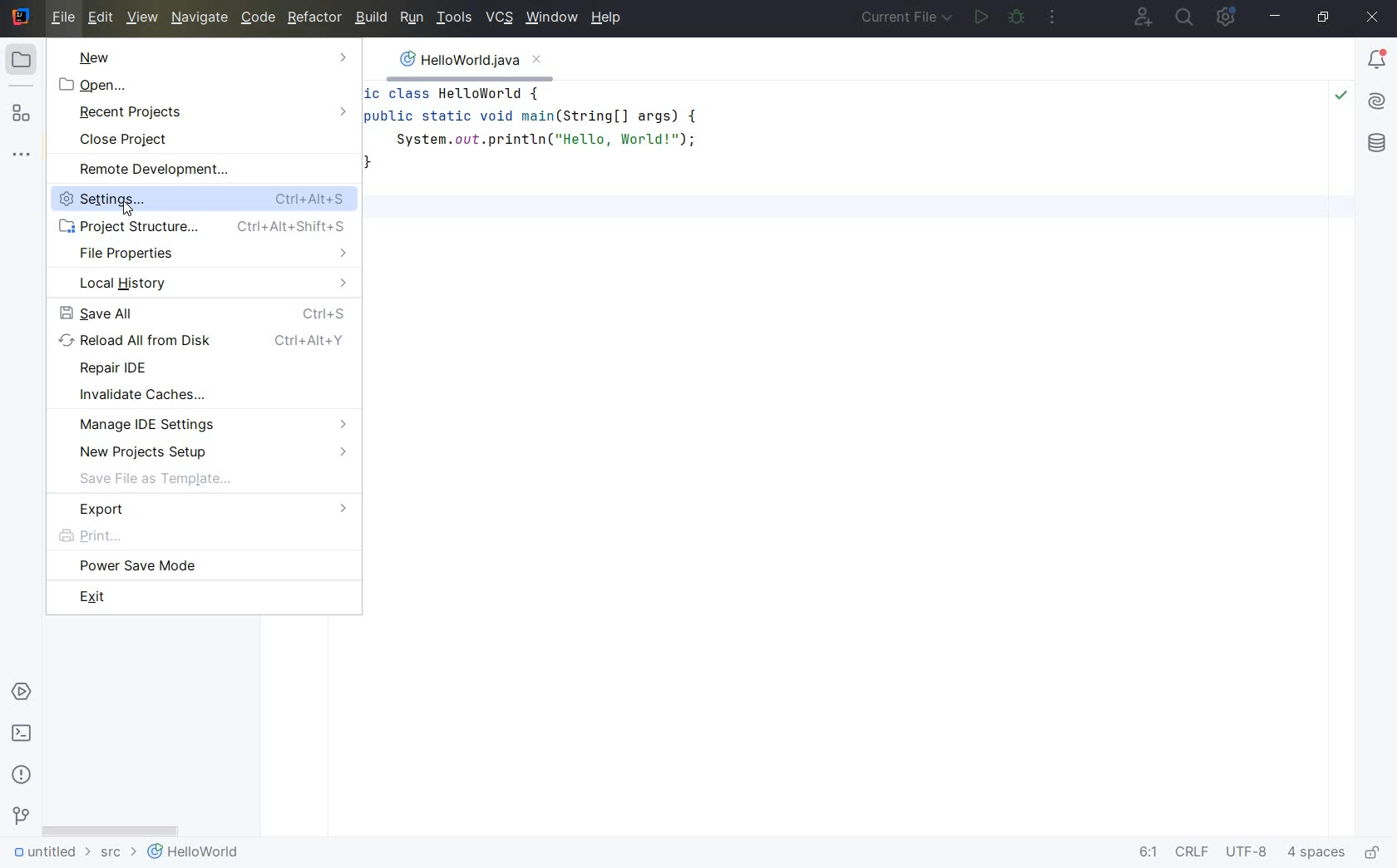  Describe the element at coordinates (1316, 855) in the screenshot. I see `indent` at that location.